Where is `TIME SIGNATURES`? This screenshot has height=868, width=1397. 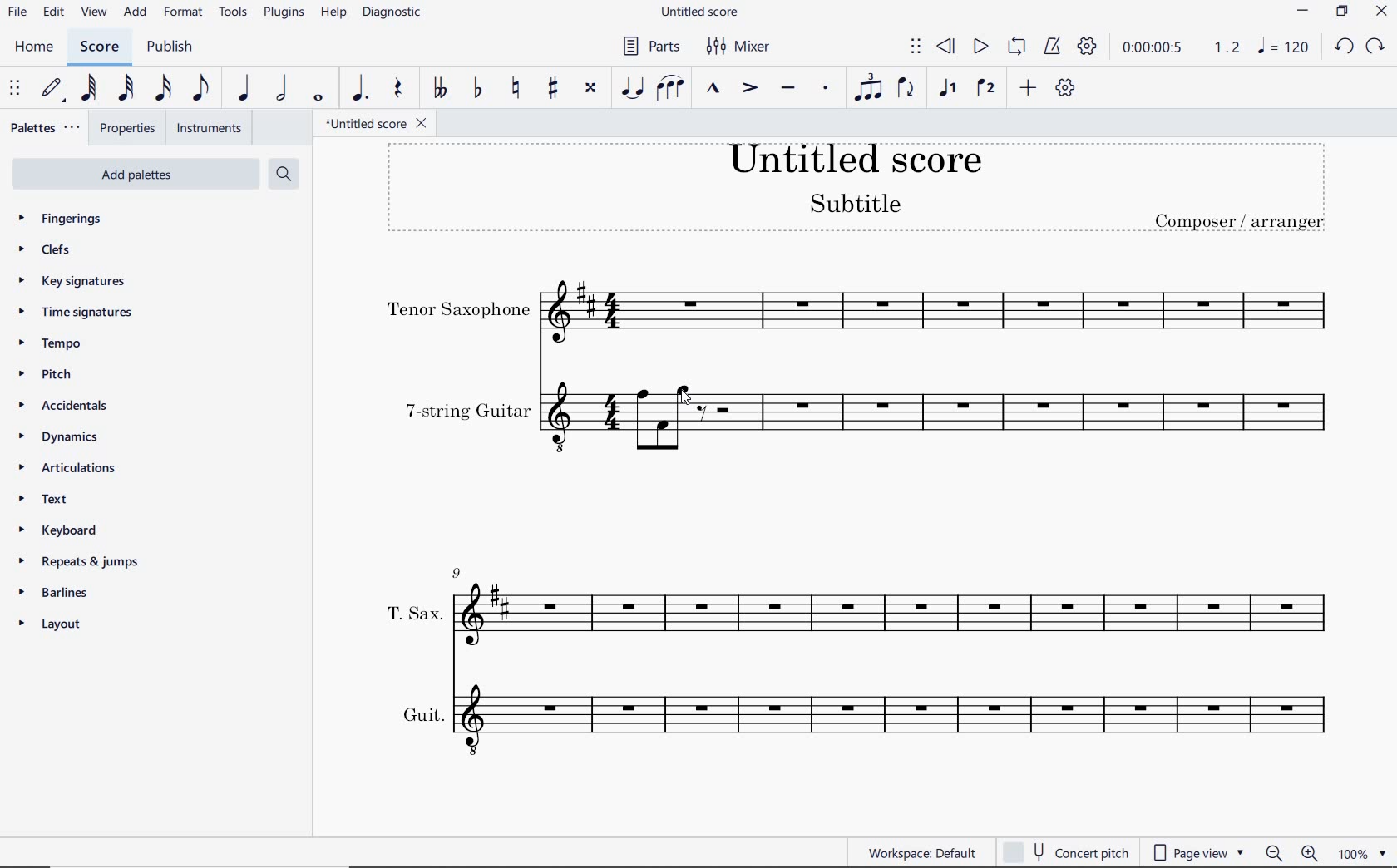 TIME SIGNATURES is located at coordinates (84, 313).